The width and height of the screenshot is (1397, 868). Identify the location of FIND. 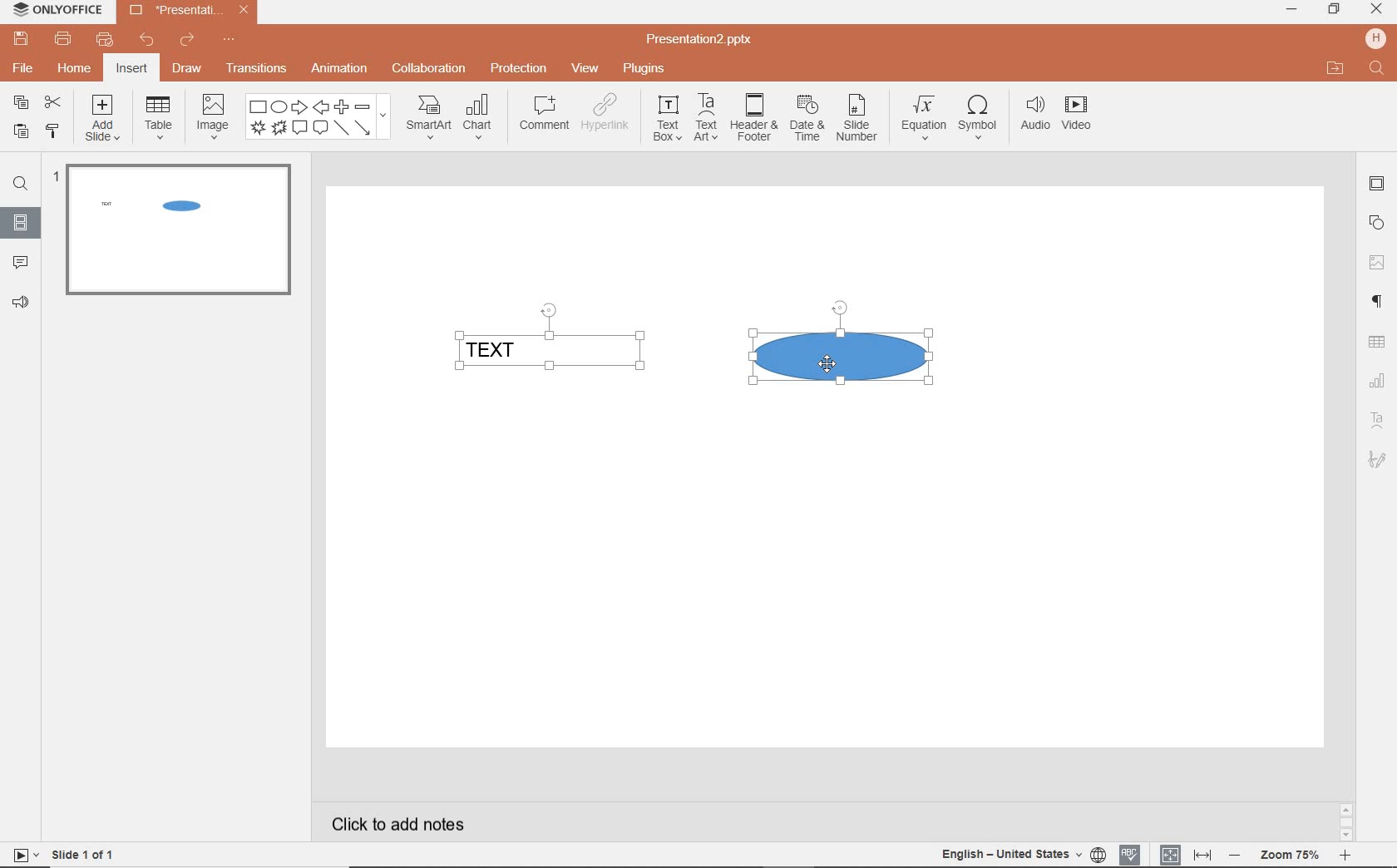
(18, 186).